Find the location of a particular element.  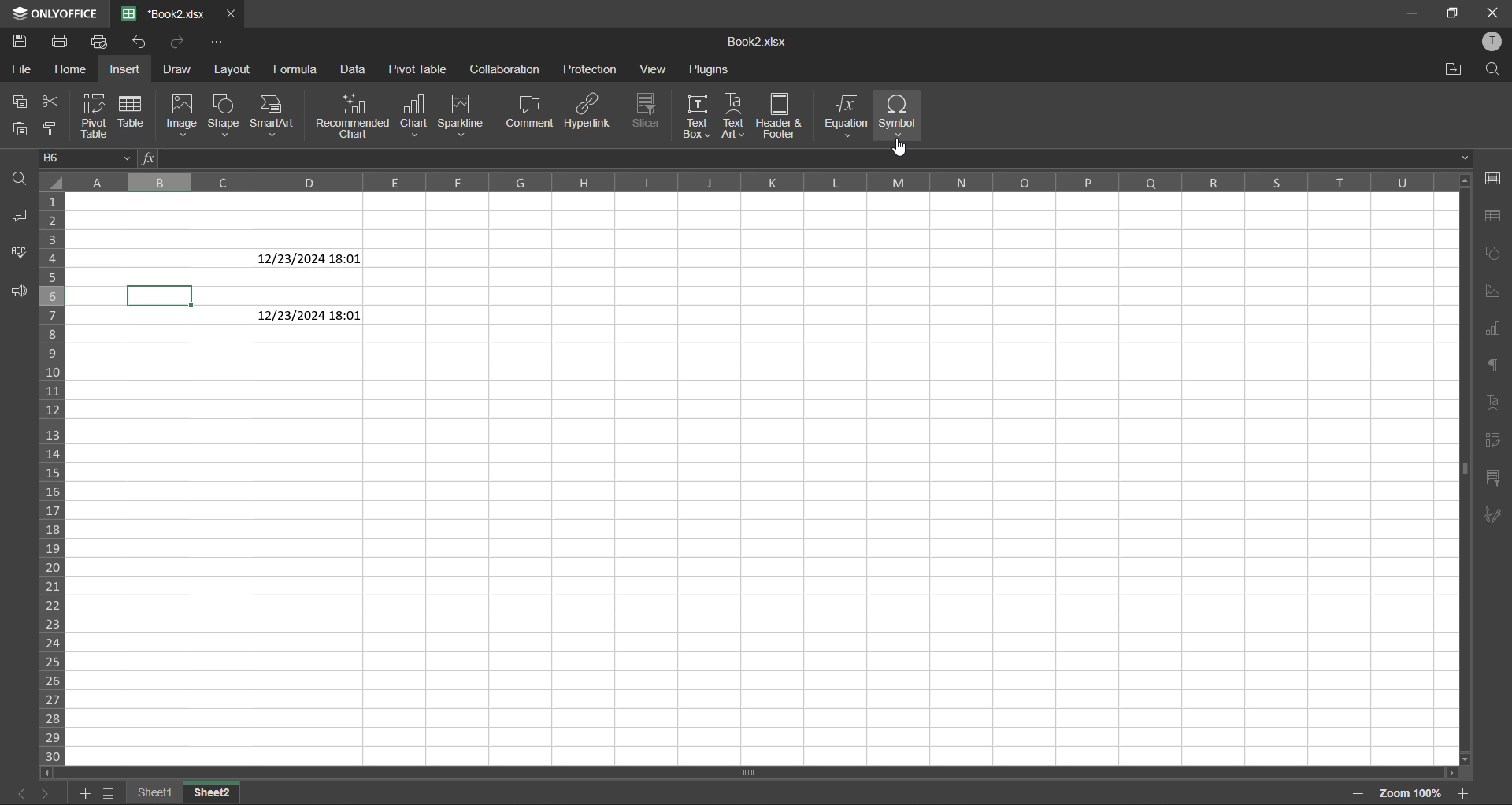

selected cell is located at coordinates (160, 295).